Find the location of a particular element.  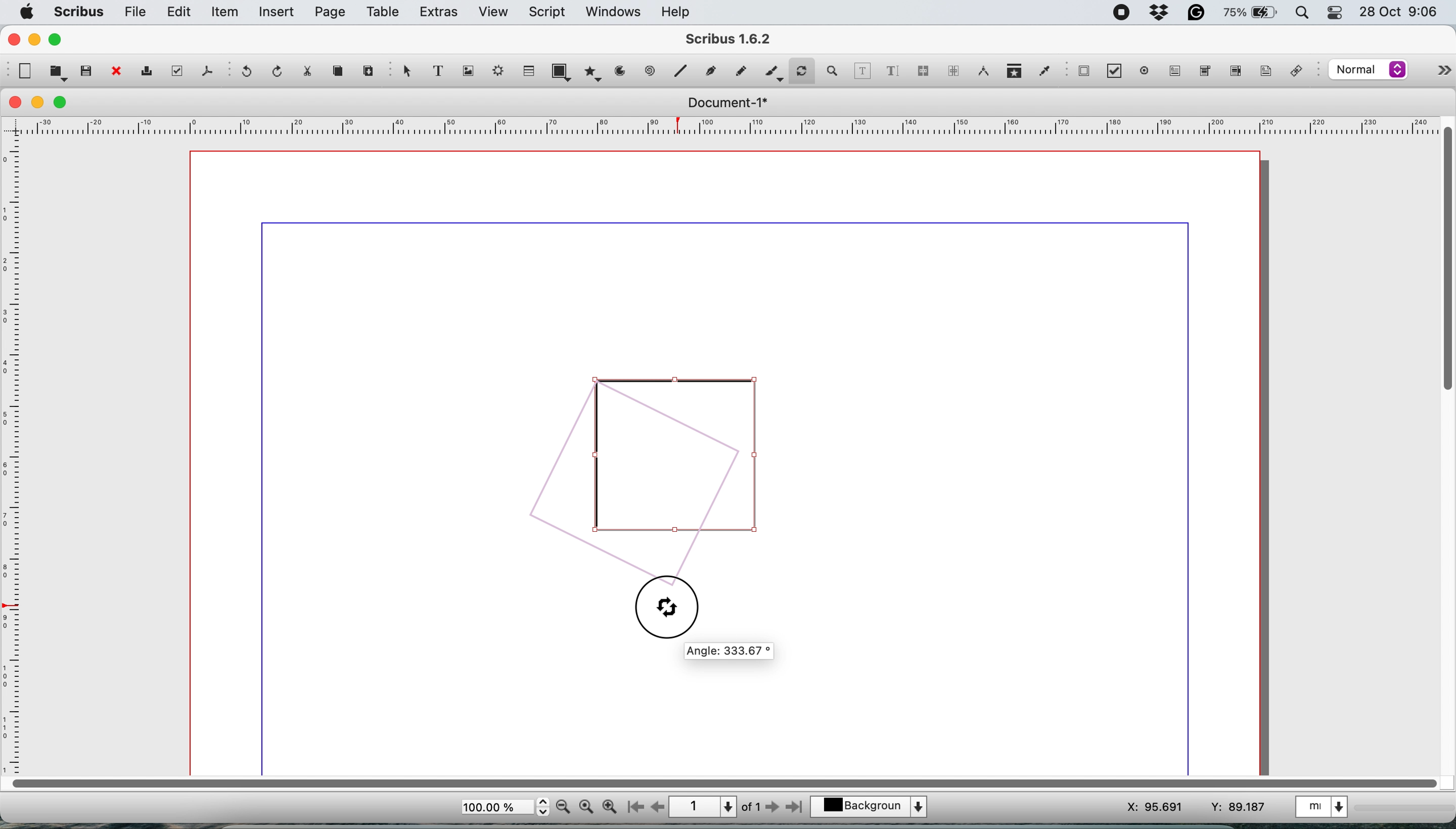

pdf combo box is located at coordinates (1204, 70).